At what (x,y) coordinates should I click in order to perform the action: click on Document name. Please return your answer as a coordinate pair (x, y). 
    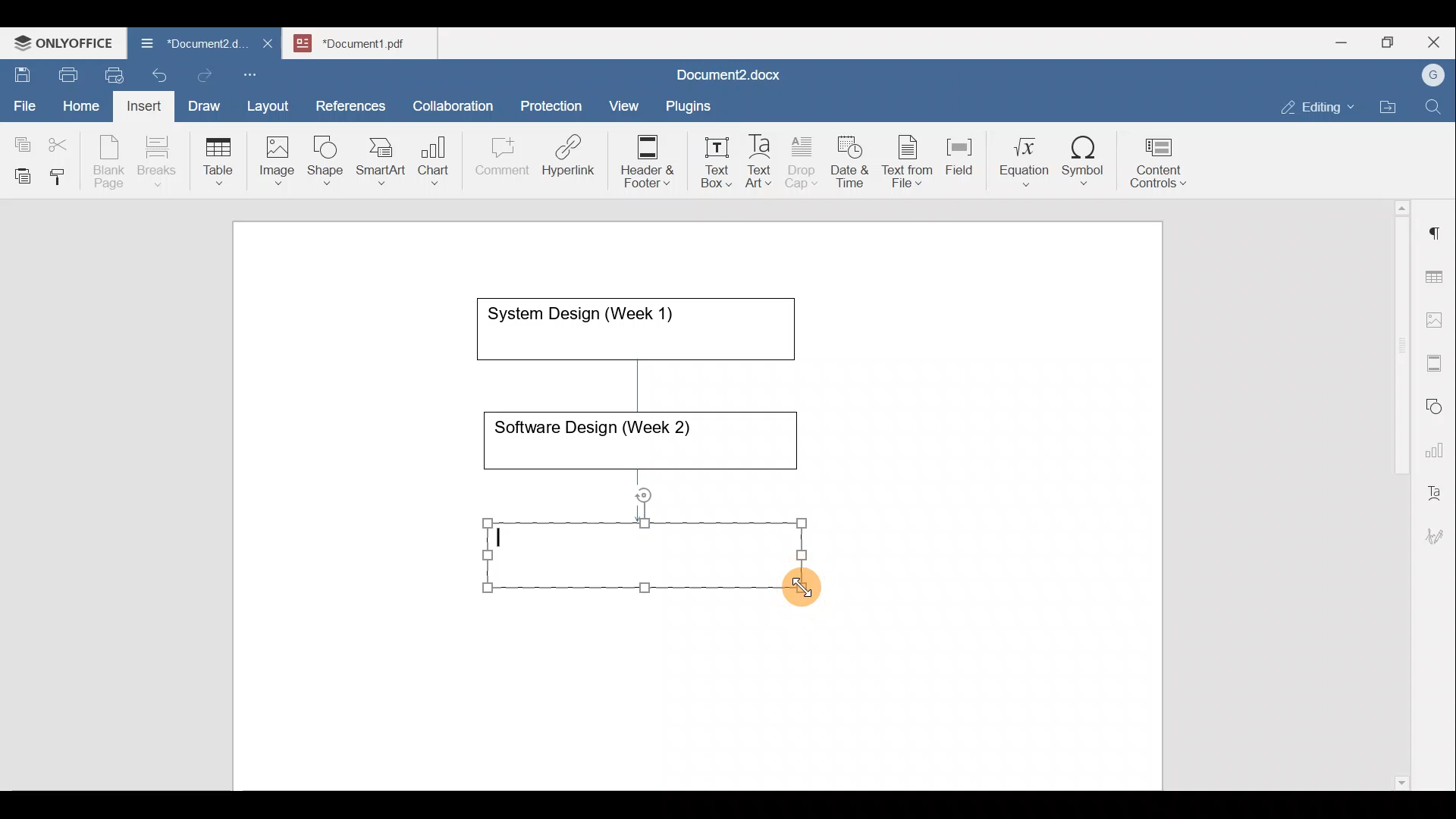
    Looking at the image, I should click on (185, 45).